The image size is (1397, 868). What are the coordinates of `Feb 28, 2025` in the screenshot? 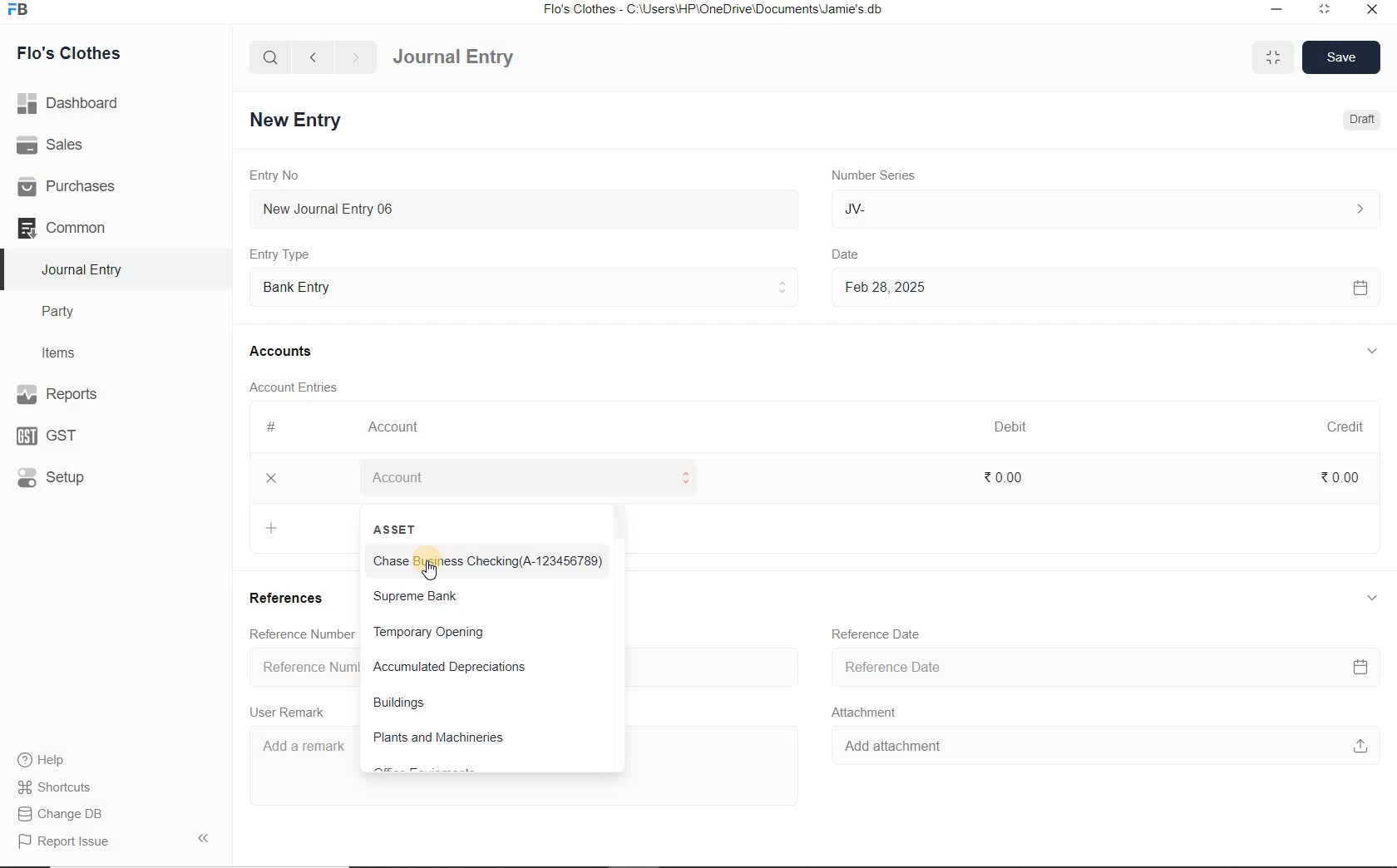 It's located at (1105, 287).